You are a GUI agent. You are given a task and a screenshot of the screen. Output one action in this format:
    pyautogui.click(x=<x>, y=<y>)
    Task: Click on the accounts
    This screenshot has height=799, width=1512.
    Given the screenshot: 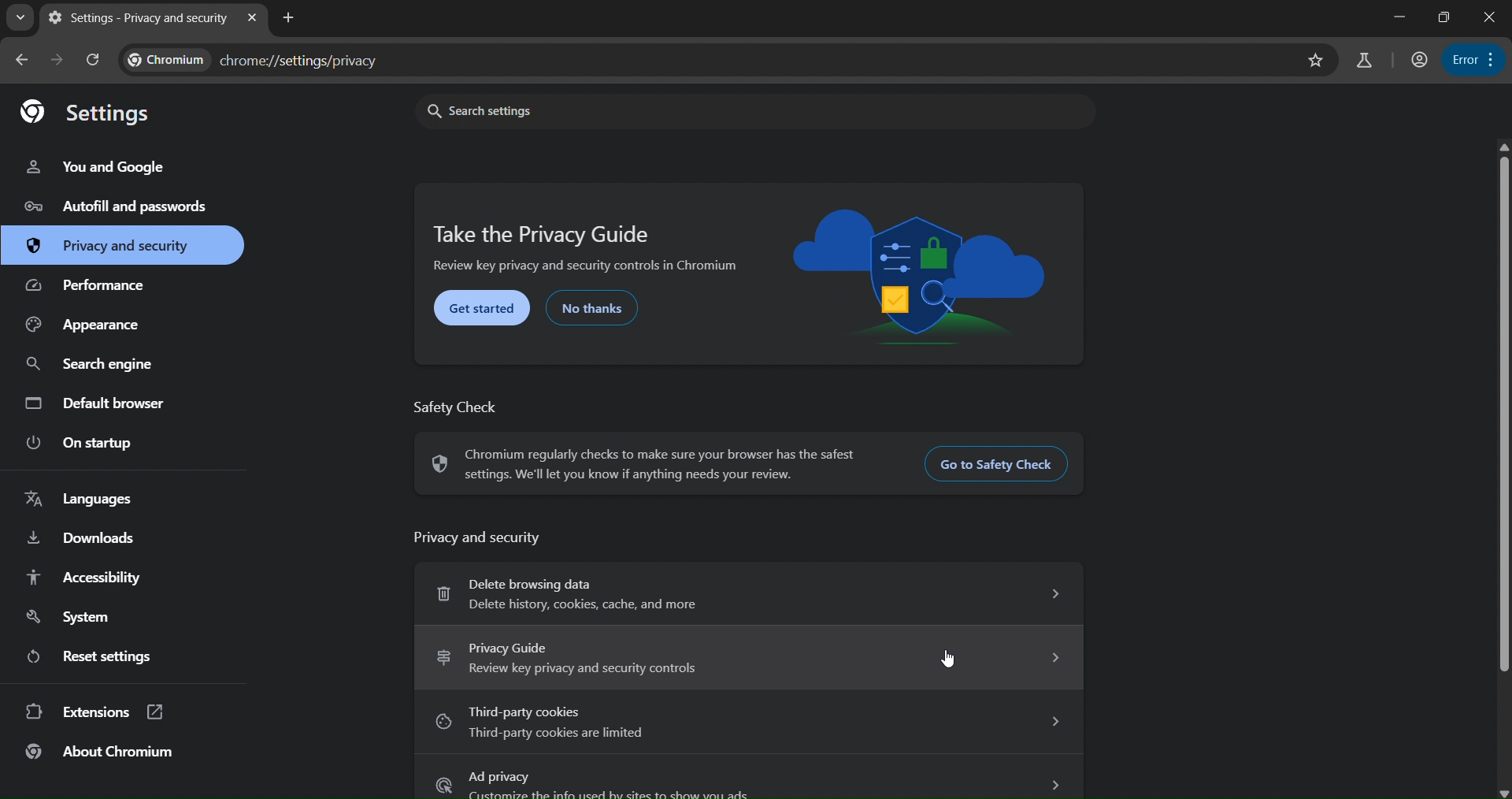 What is the action you would take?
    pyautogui.click(x=1421, y=61)
    